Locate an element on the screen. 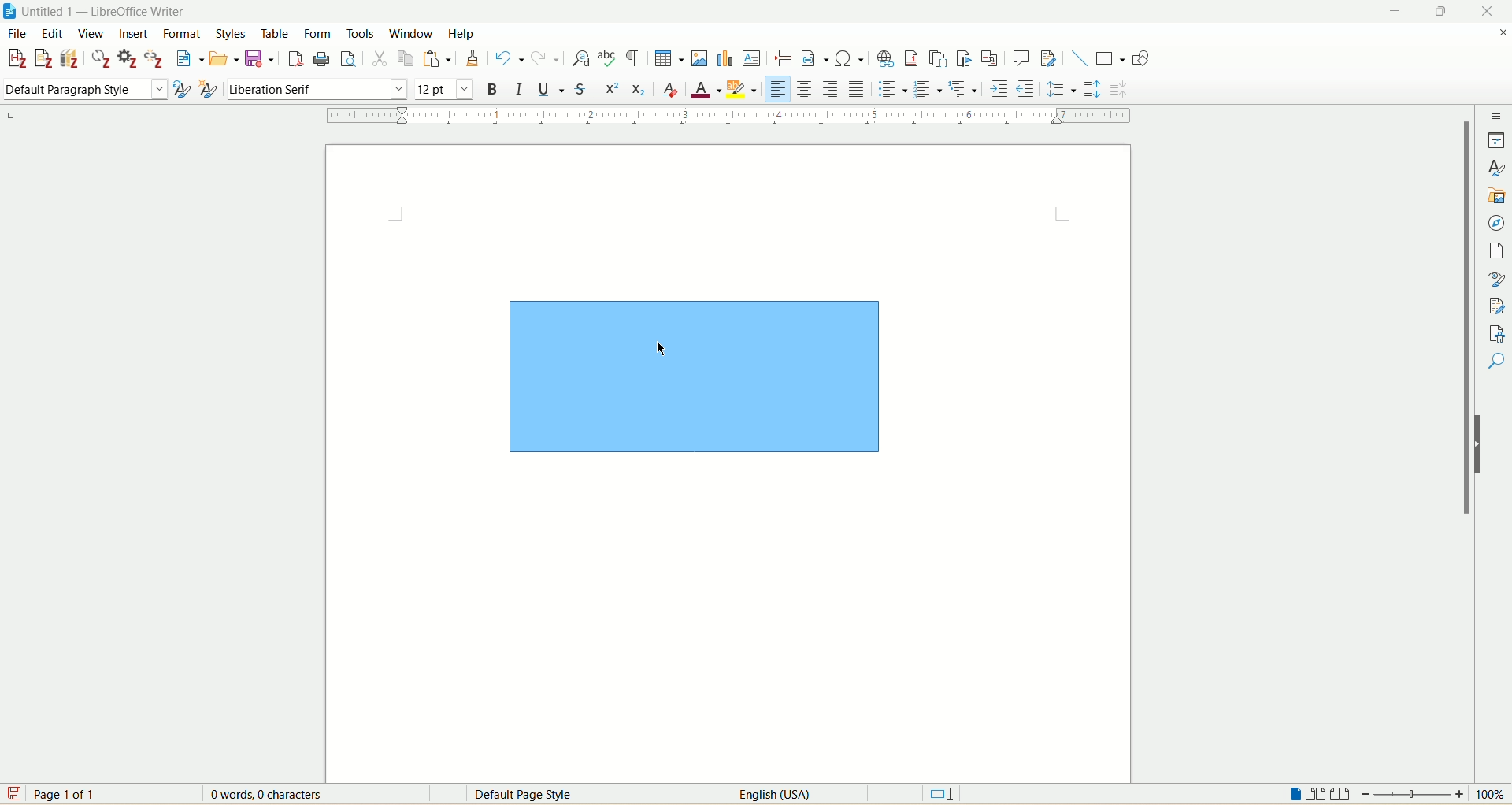 Image resolution: width=1512 pixels, height=805 pixels. insert bookmark is located at coordinates (969, 59).